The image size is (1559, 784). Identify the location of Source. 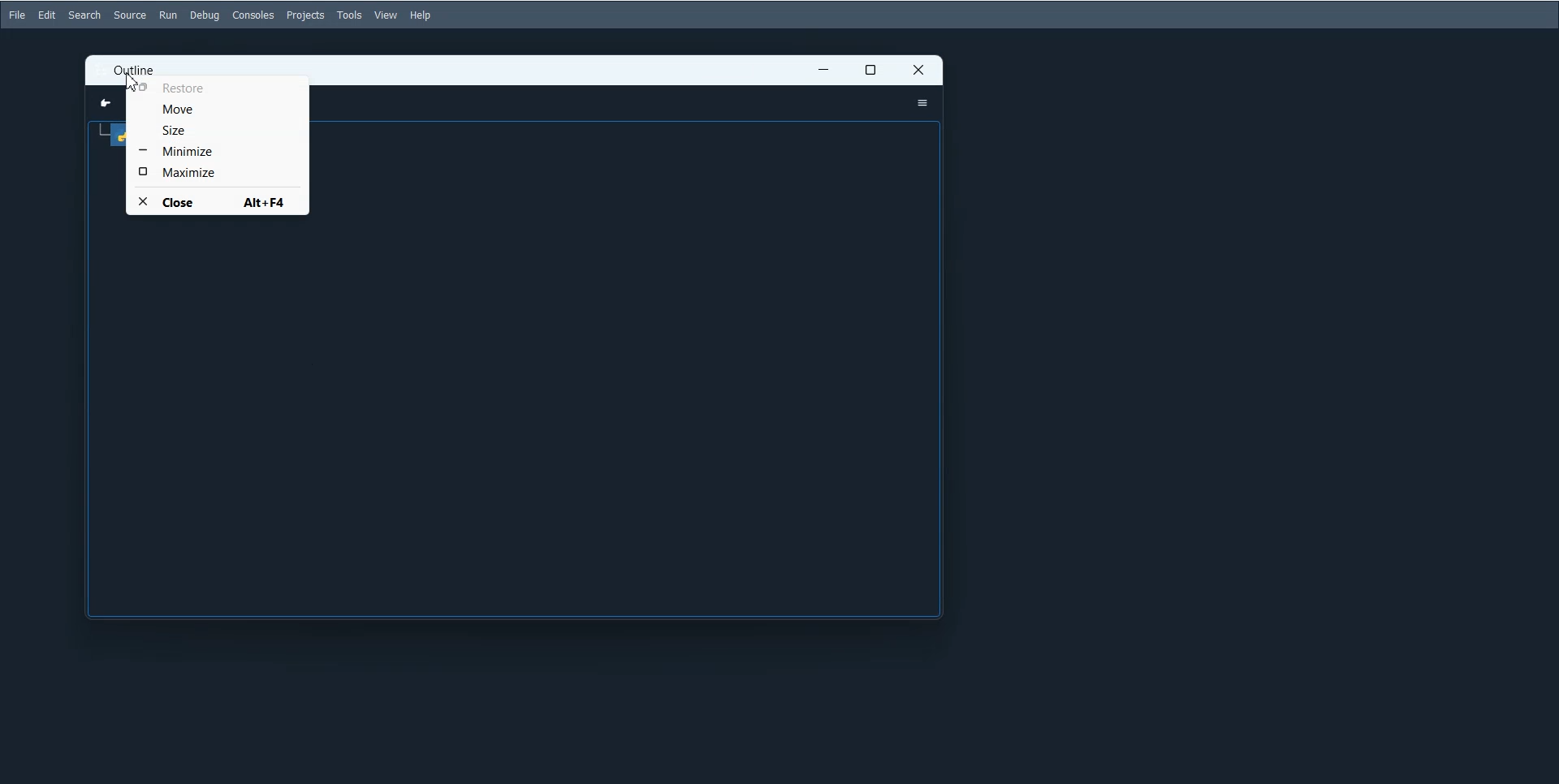
(130, 15).